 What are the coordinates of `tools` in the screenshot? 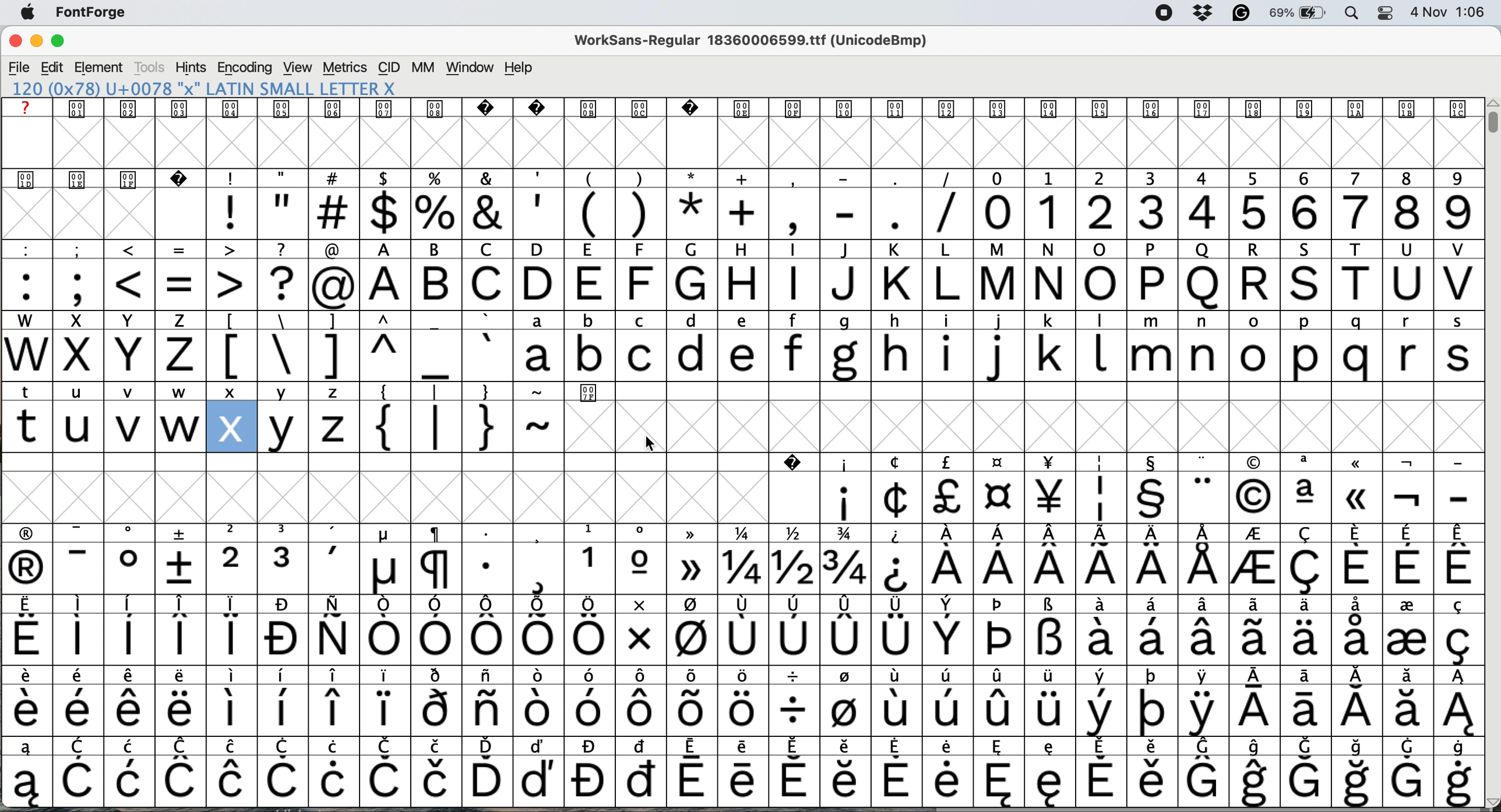 It's located at (150, 68).